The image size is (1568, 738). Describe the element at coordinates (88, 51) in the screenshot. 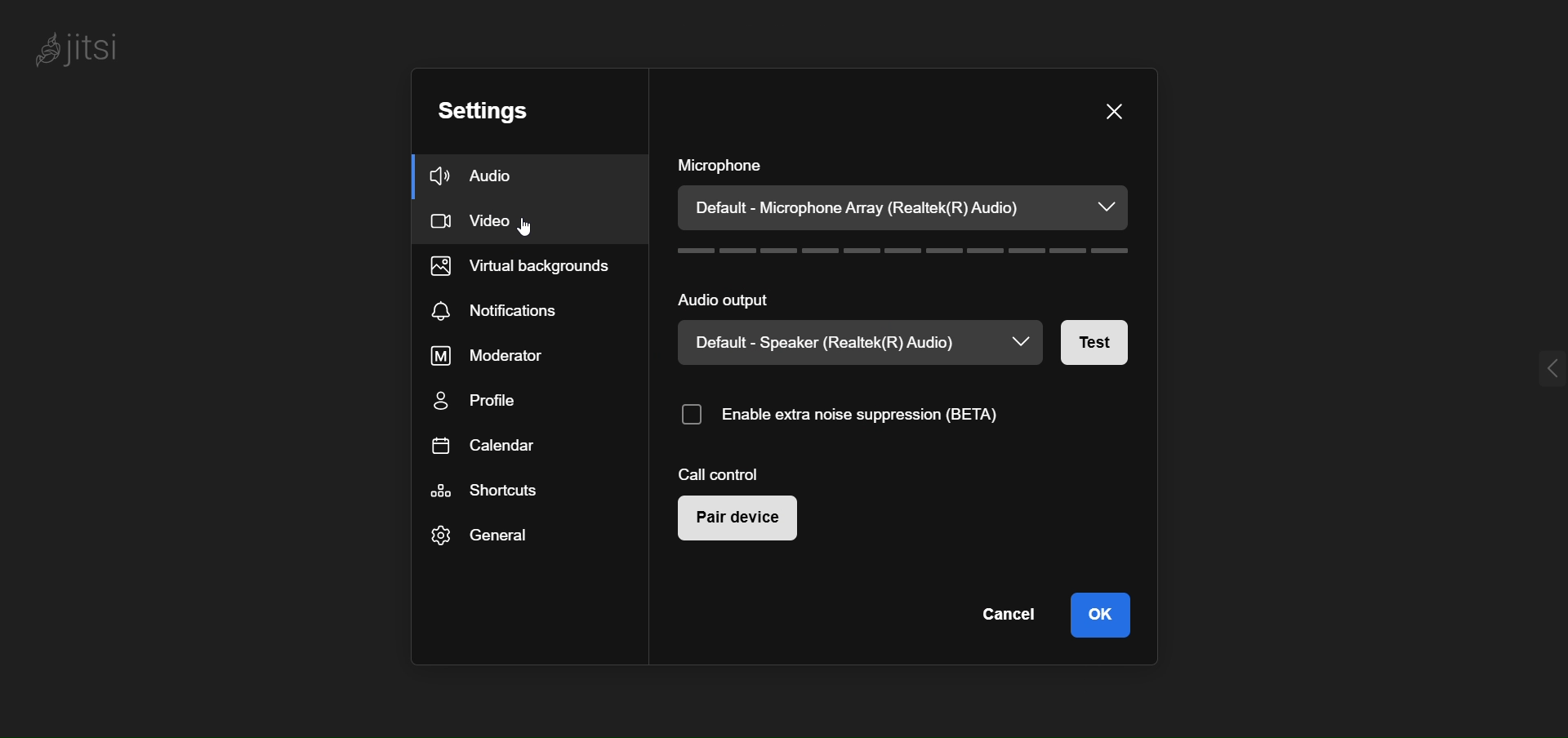

I see `logo` at that location.